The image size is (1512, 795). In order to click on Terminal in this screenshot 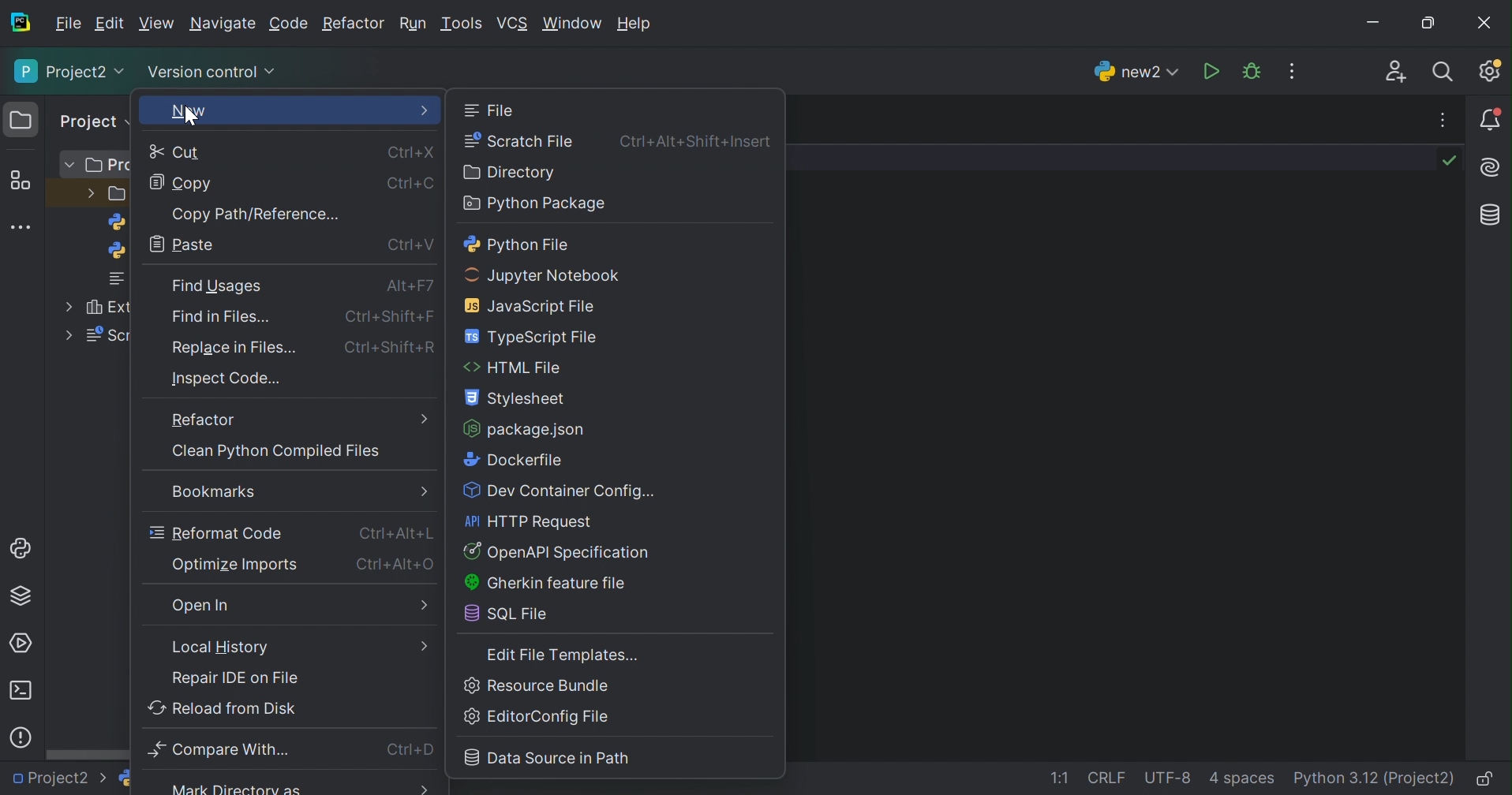, I will do `click(20, 691)`.